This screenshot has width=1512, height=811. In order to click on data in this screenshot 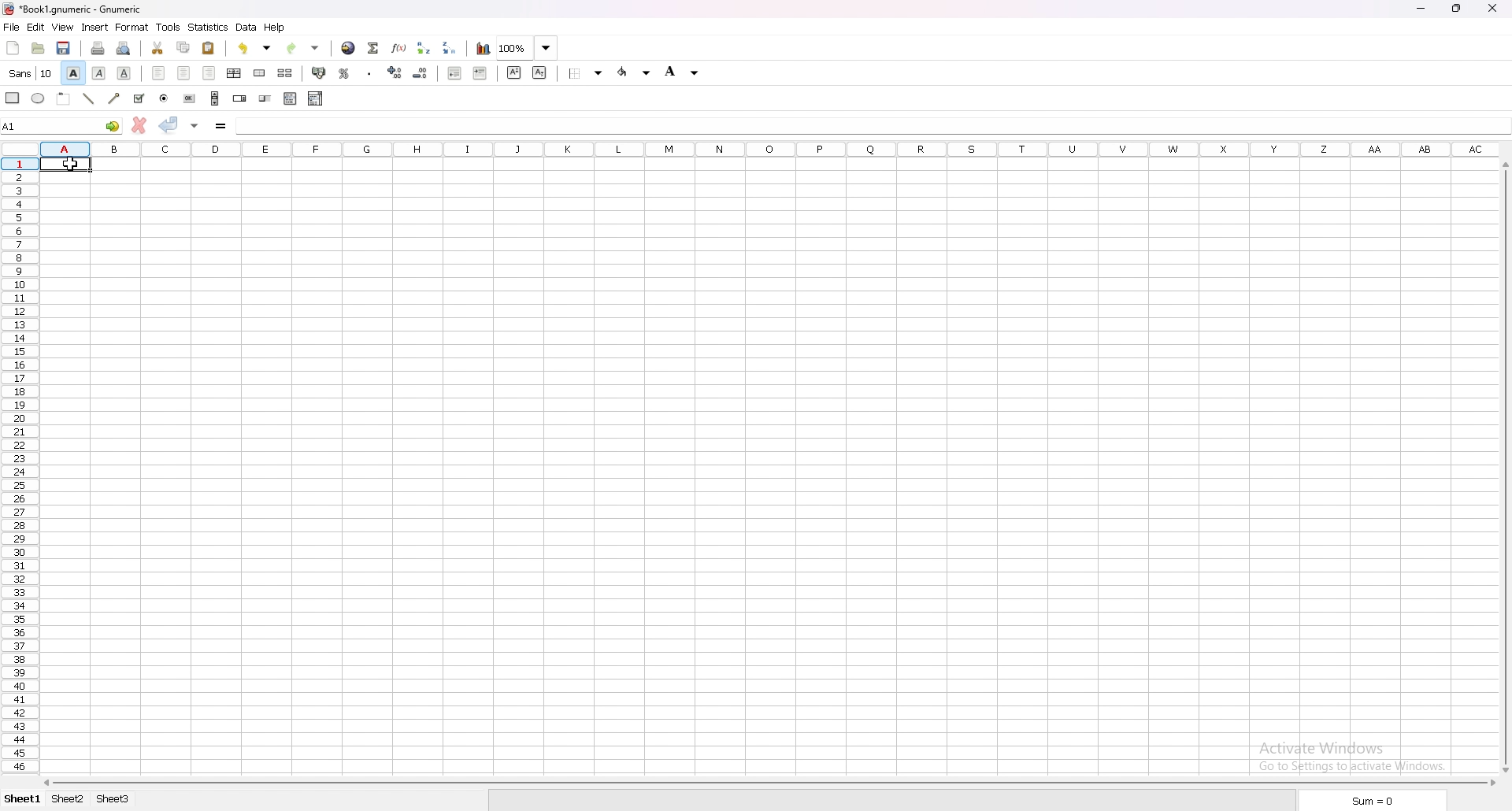, I will do `click(246, 27)`.